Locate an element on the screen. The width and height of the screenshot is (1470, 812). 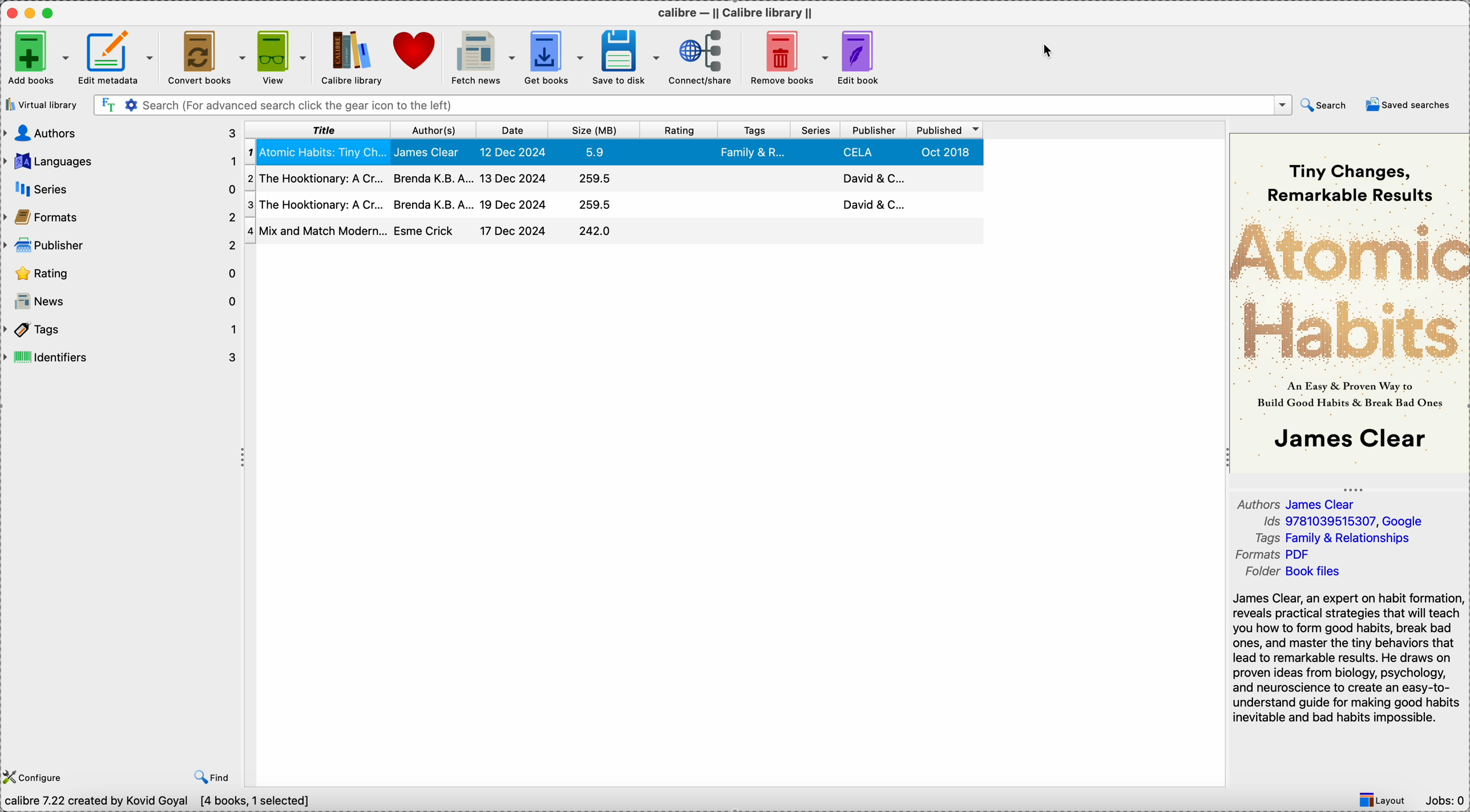
Calibre is located at coordinates (738, 11).